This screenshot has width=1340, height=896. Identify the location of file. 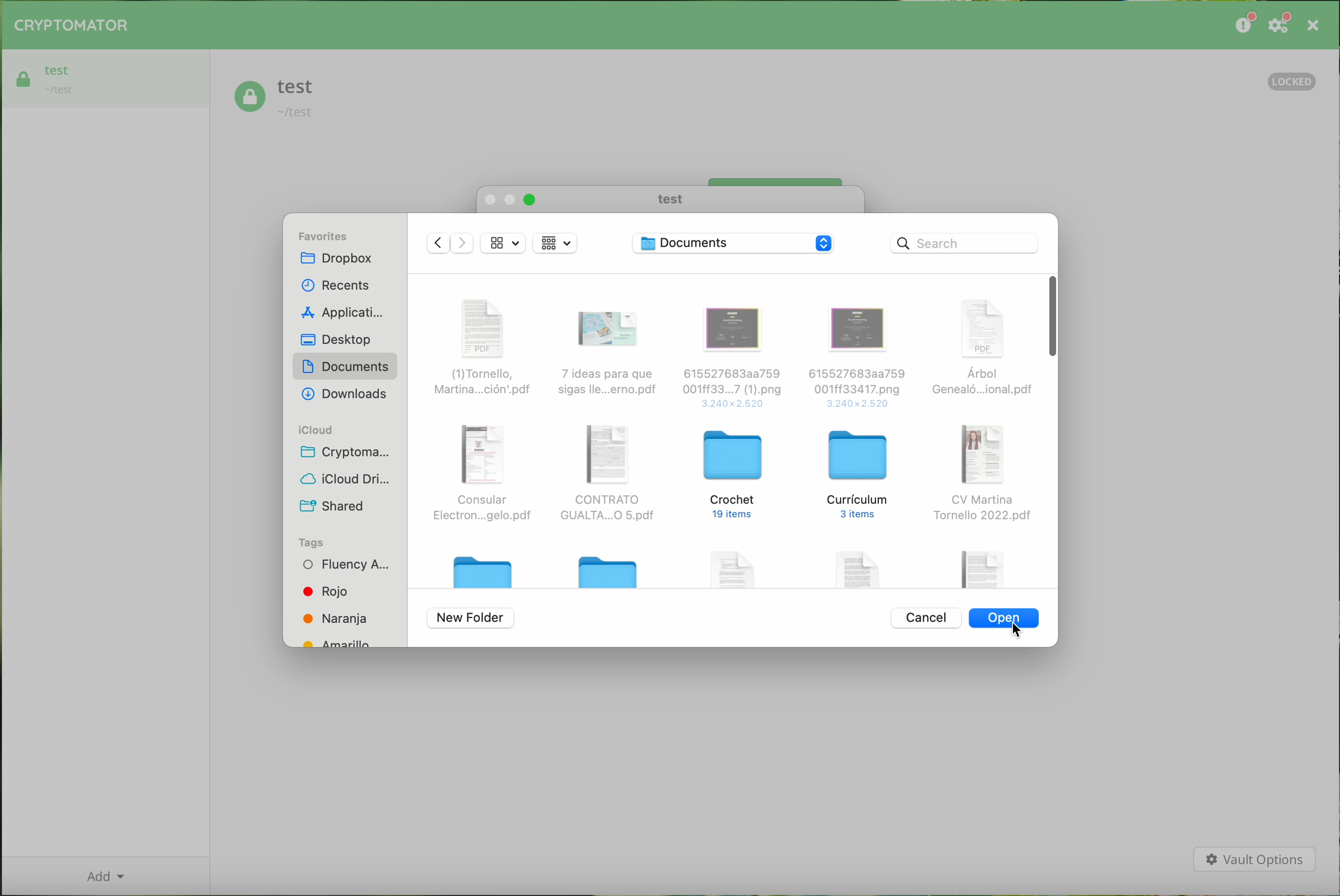
(736, 565).